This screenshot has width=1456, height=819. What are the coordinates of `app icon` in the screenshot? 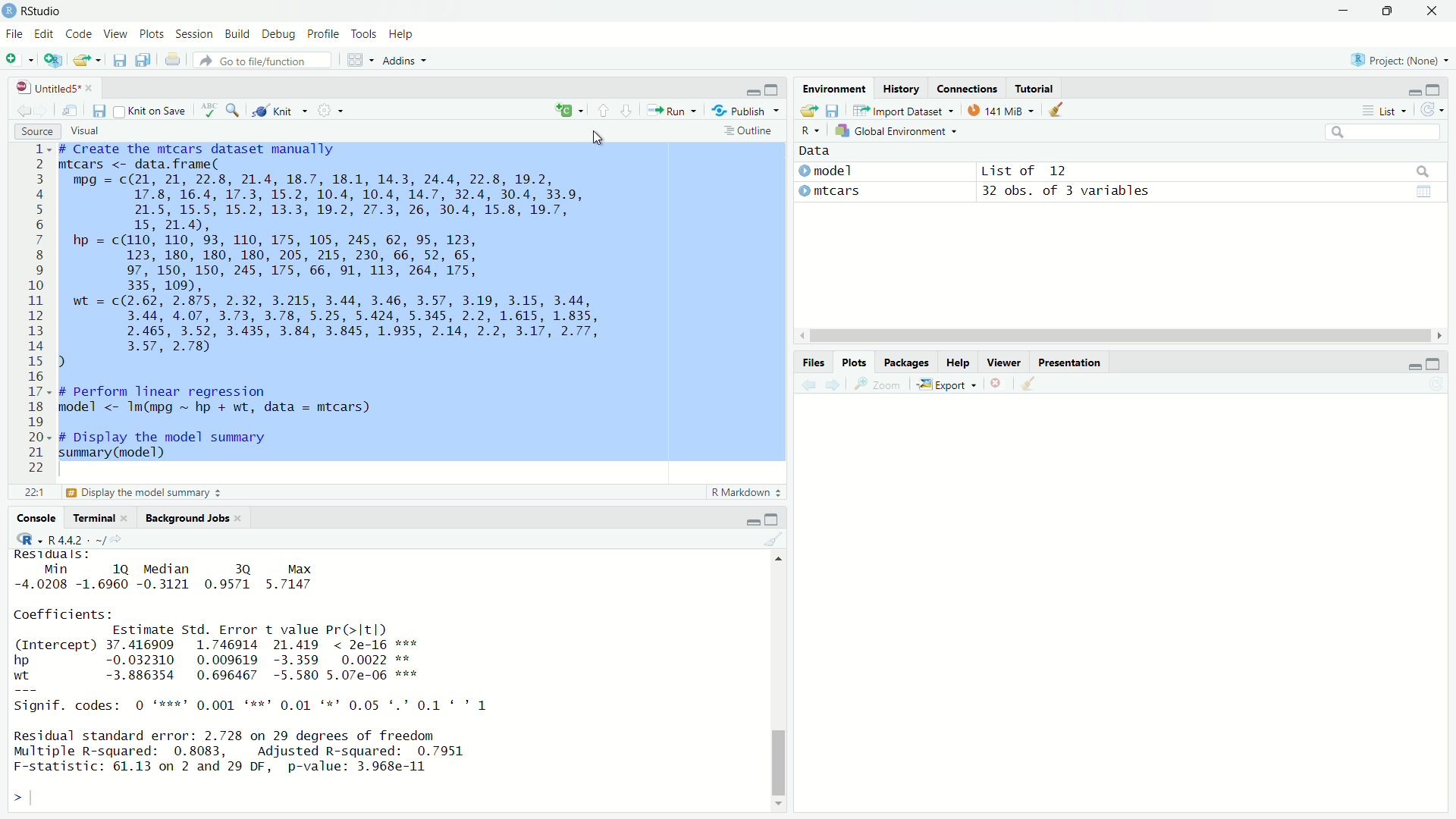 It's located at (9, 11).